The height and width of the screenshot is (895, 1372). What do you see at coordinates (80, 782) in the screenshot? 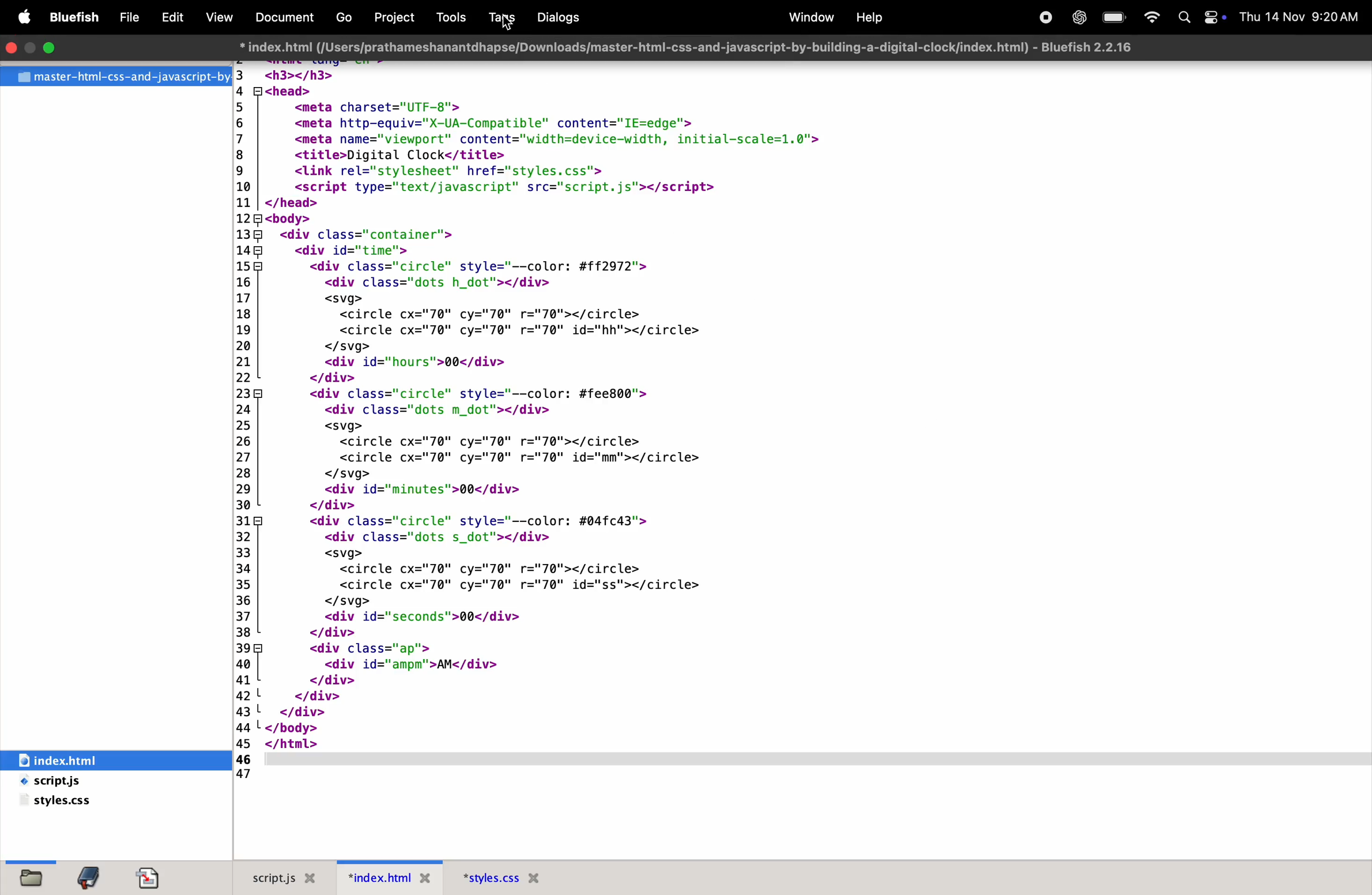
I see `script.js` at bounding box center [80, 782].